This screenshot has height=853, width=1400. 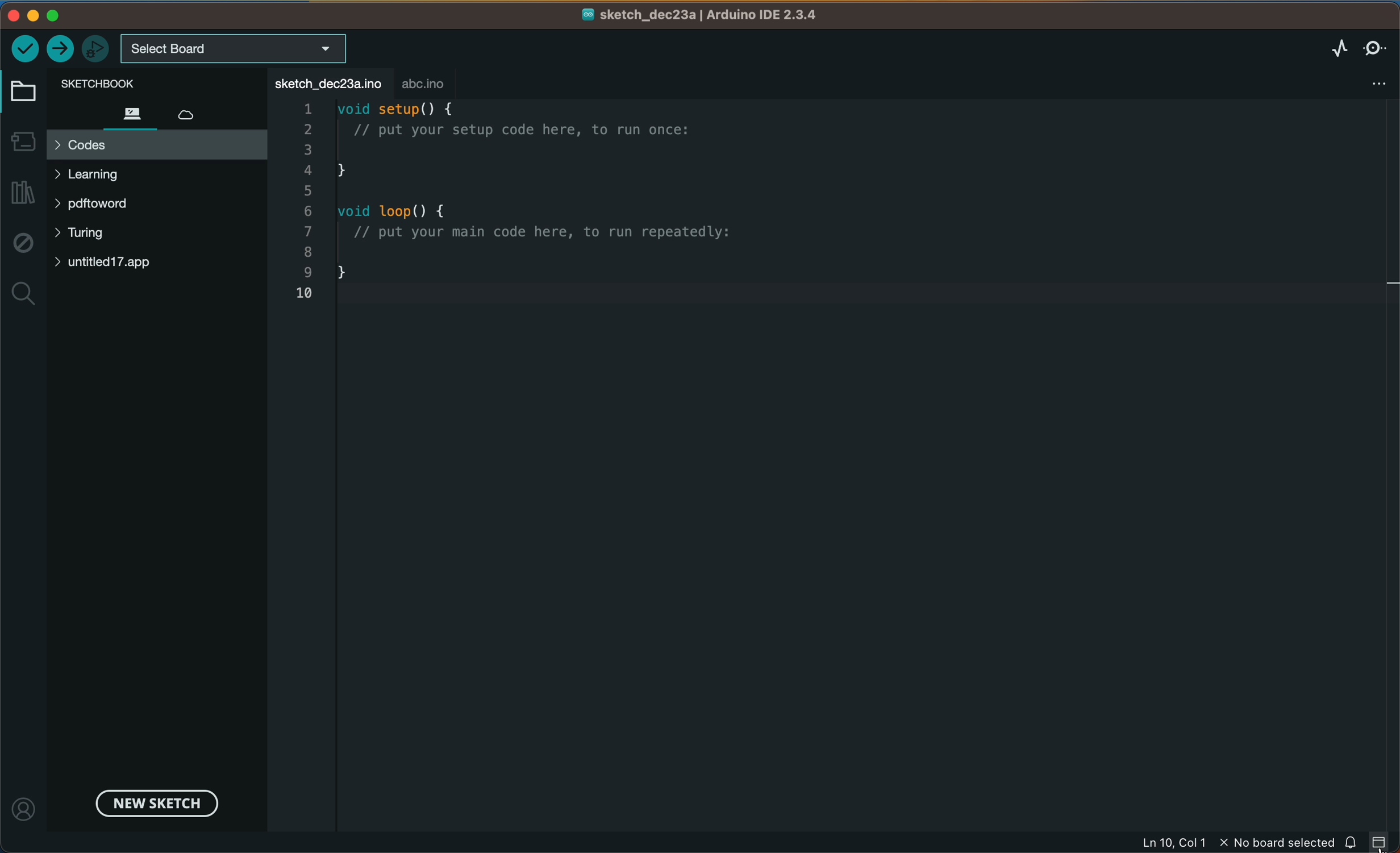 What do you see at coordinates (24, 49) in the screenshot?
I see `verify` at bounding box center [24, 49].